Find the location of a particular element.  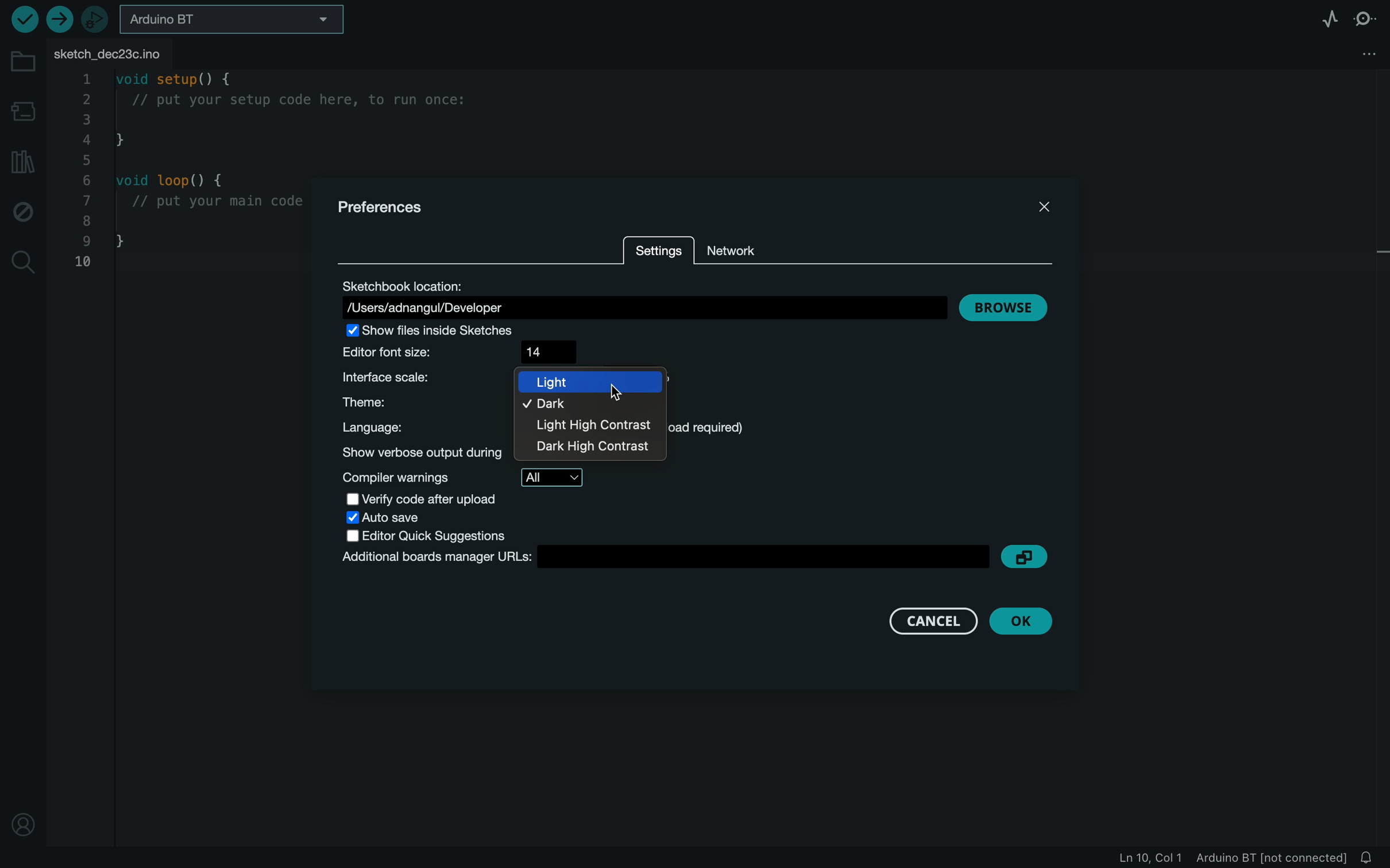

board manager is located at coordinates (24, 111).